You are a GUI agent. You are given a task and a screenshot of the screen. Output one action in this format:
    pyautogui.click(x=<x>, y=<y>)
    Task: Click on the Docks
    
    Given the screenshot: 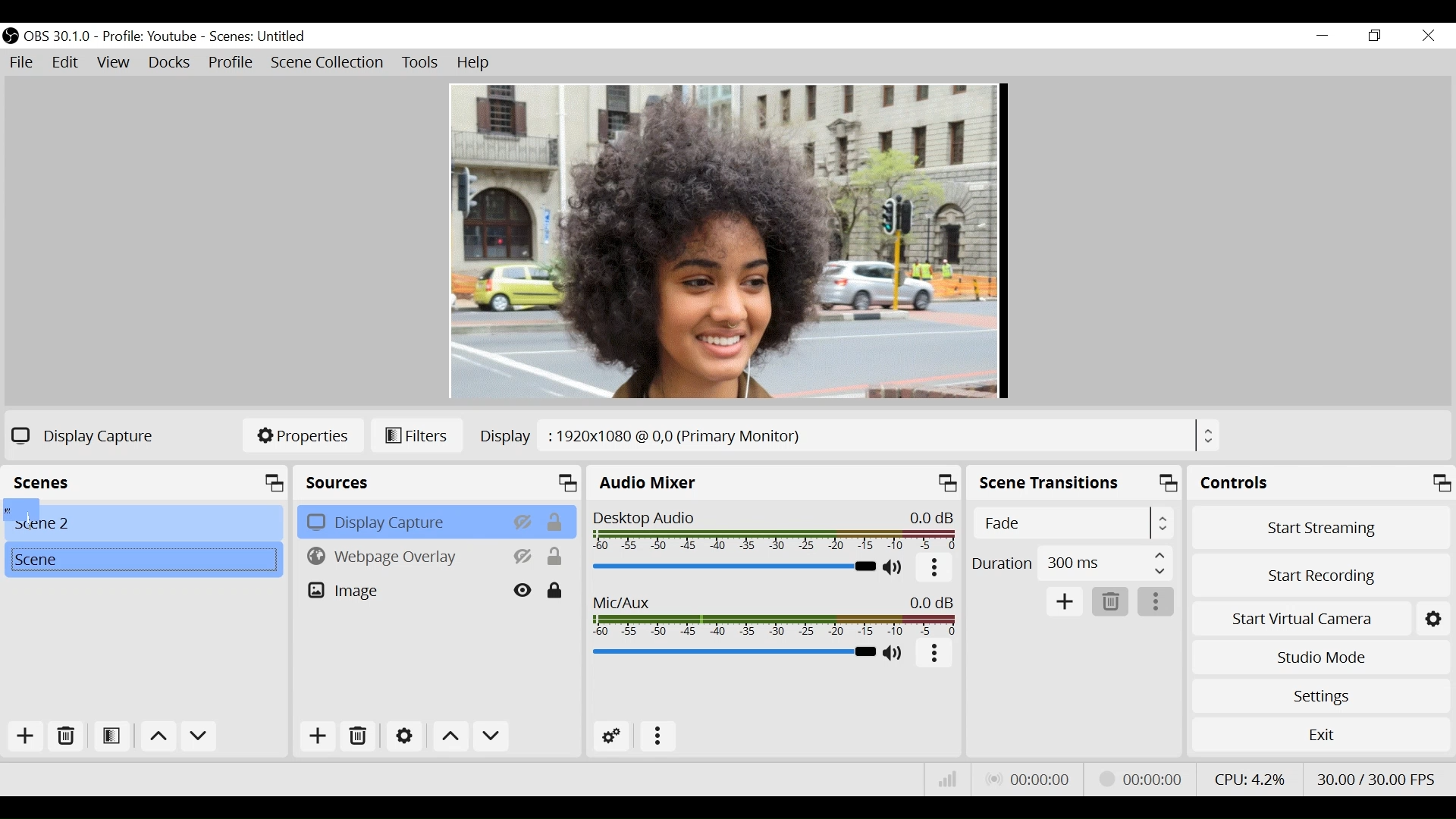 What is the action you would take?
    pyautogui.click(x=171, y=63)
    